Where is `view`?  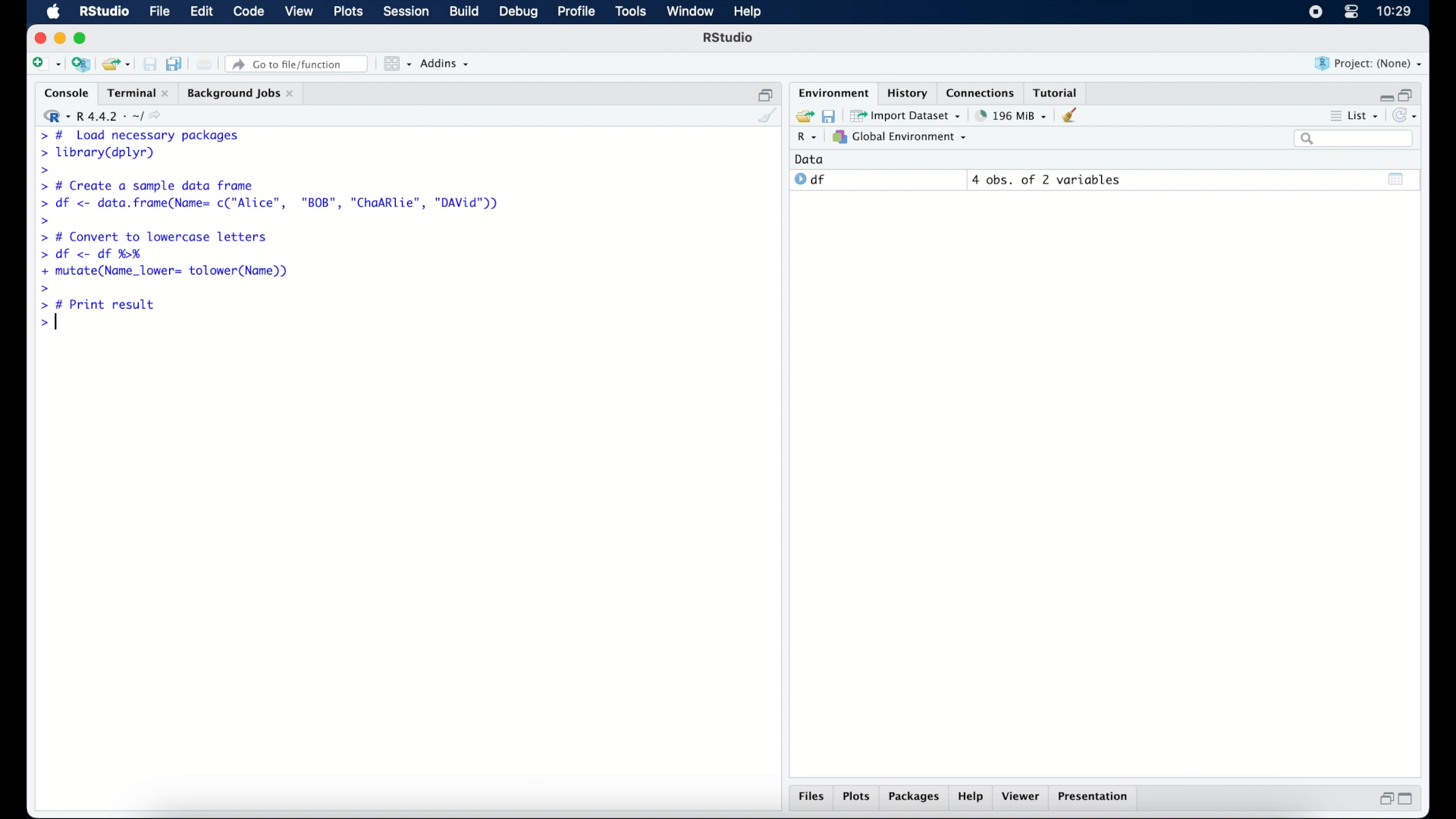 view is located at coordinates (300, 13).